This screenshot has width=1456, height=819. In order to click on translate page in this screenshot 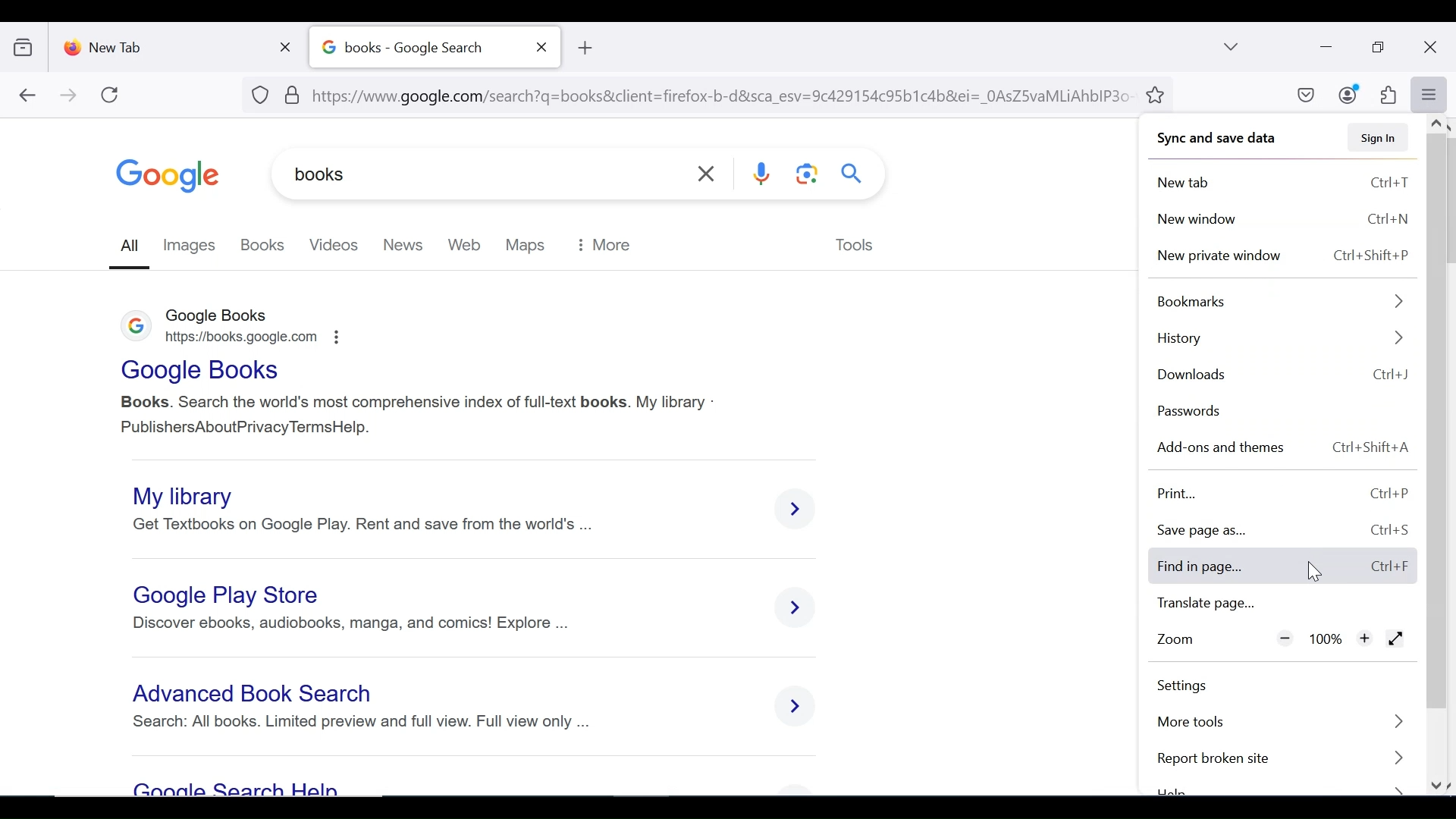, I will do `click(1279, 606)`.